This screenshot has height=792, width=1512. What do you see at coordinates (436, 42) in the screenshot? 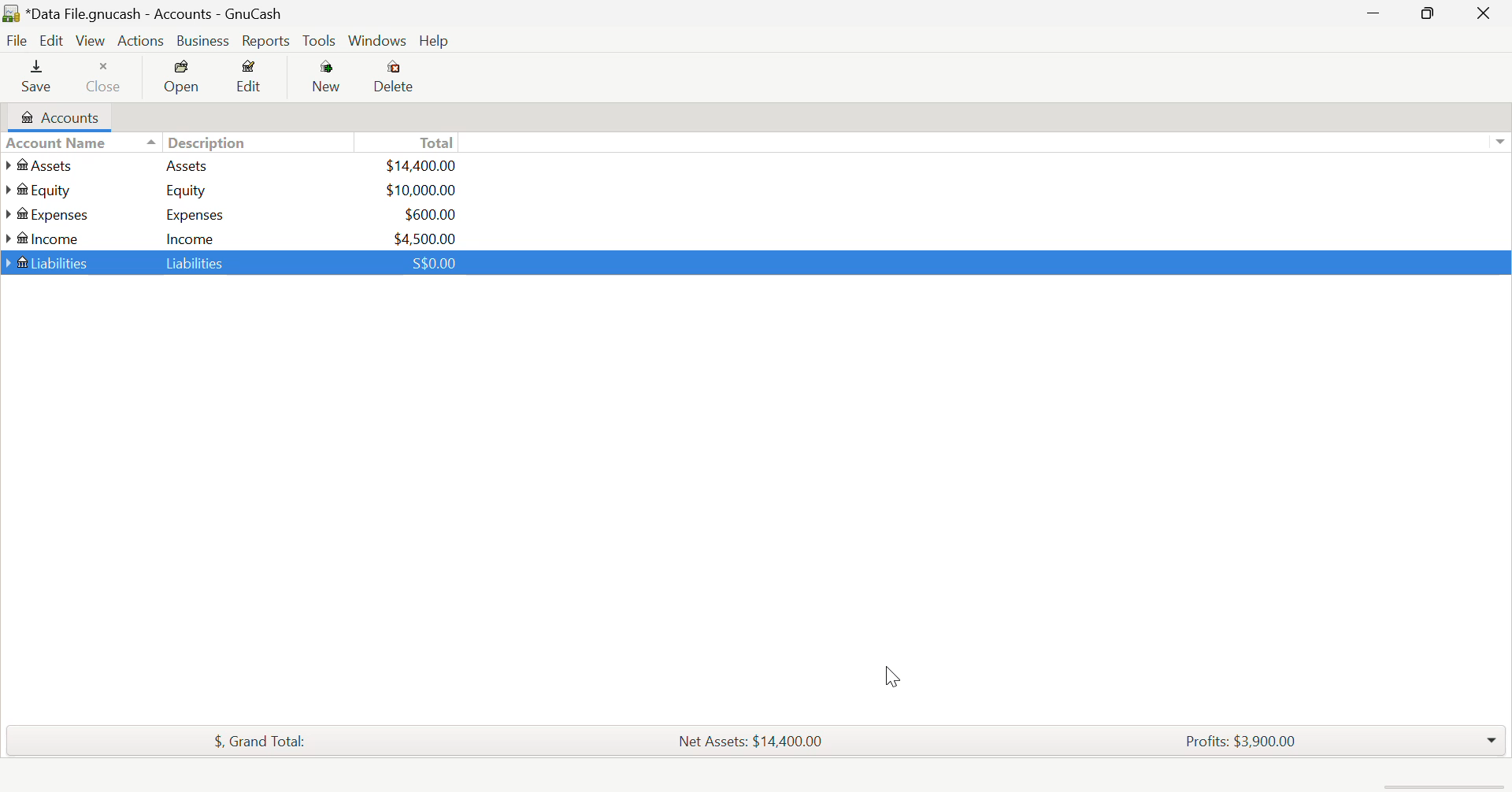
I see `Help` at bounding box center [436, 42].